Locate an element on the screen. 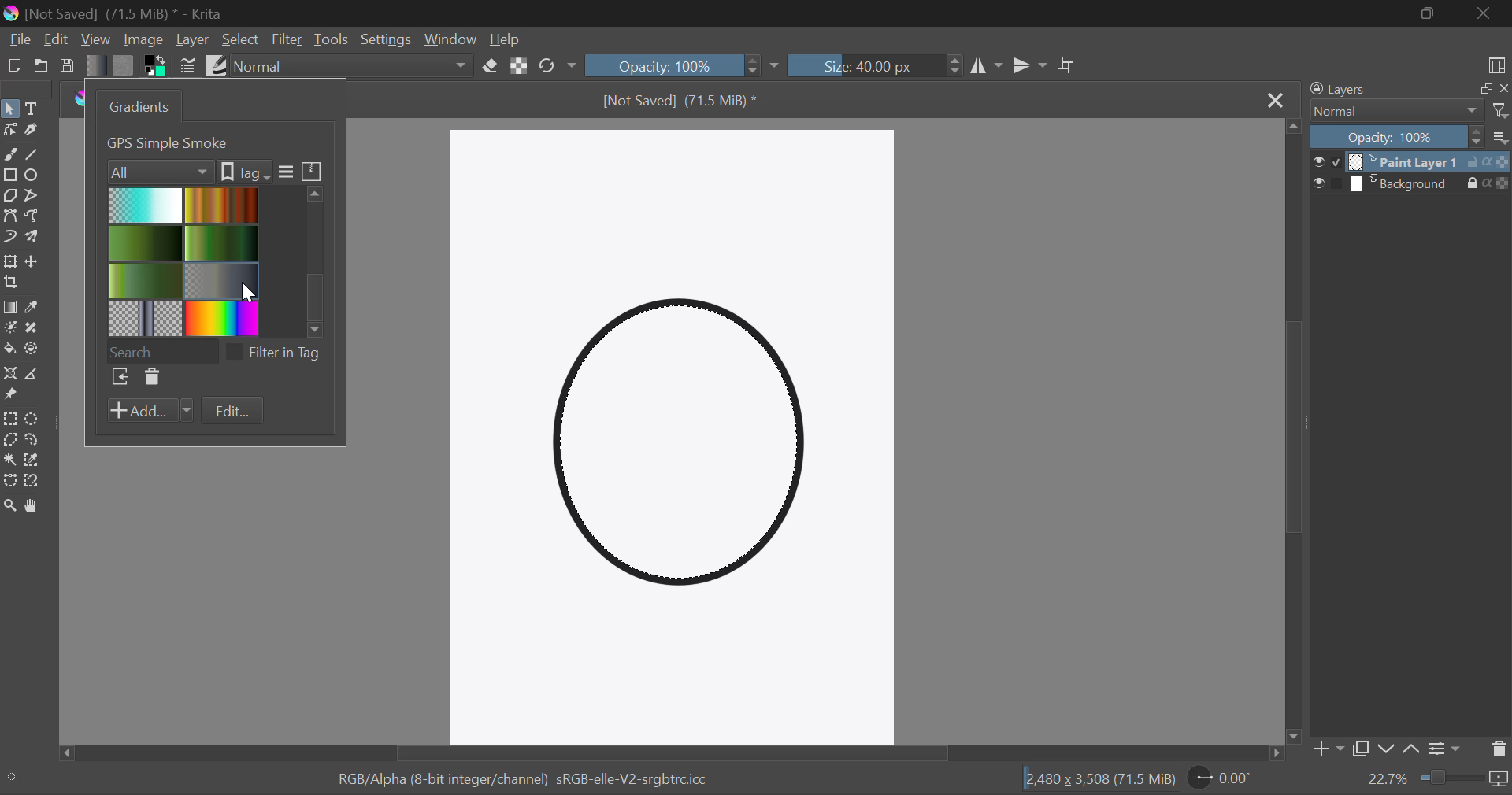 The width and height of the screenshot is (1512, 795). View is located at coordinates (95, 40).